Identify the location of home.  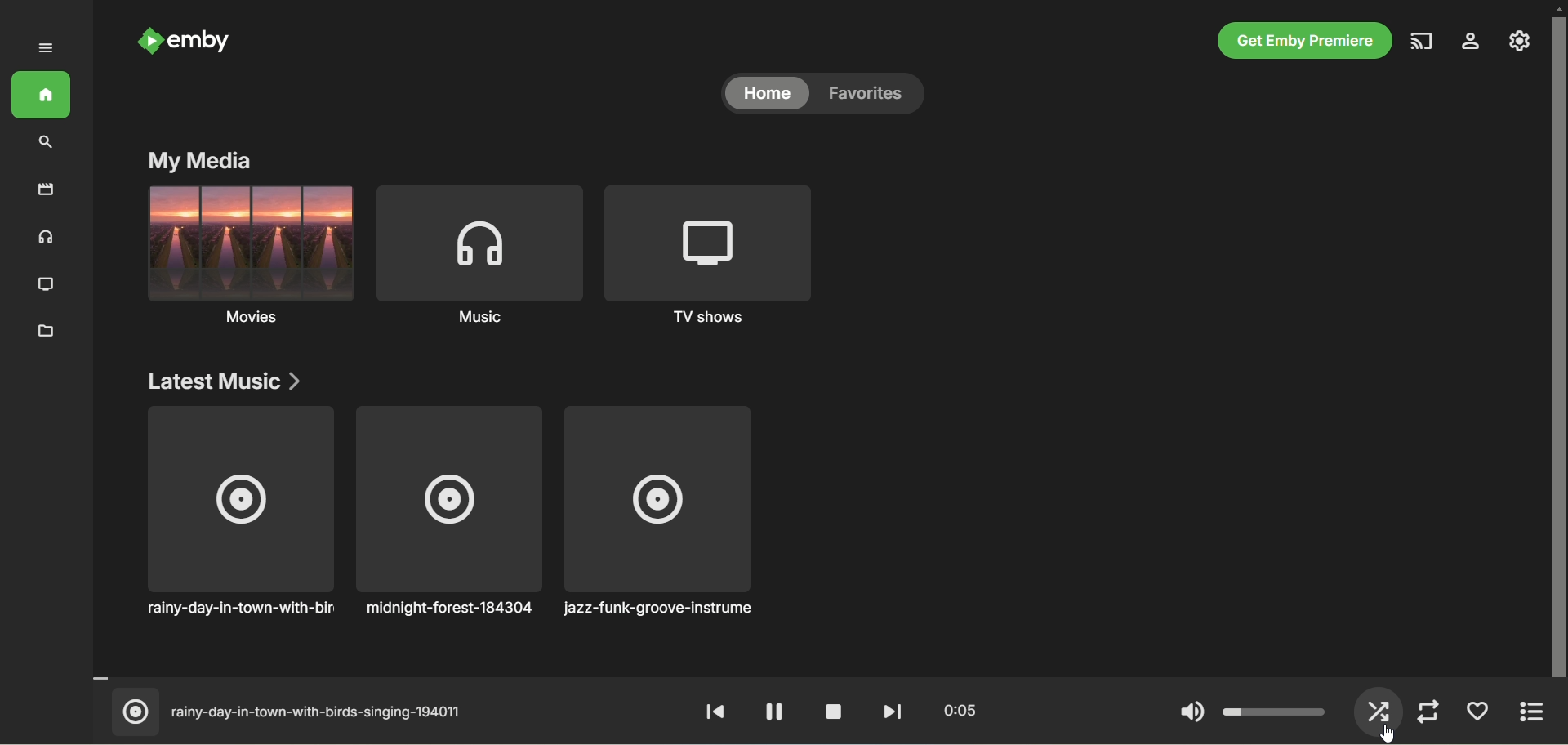
(40, 96).